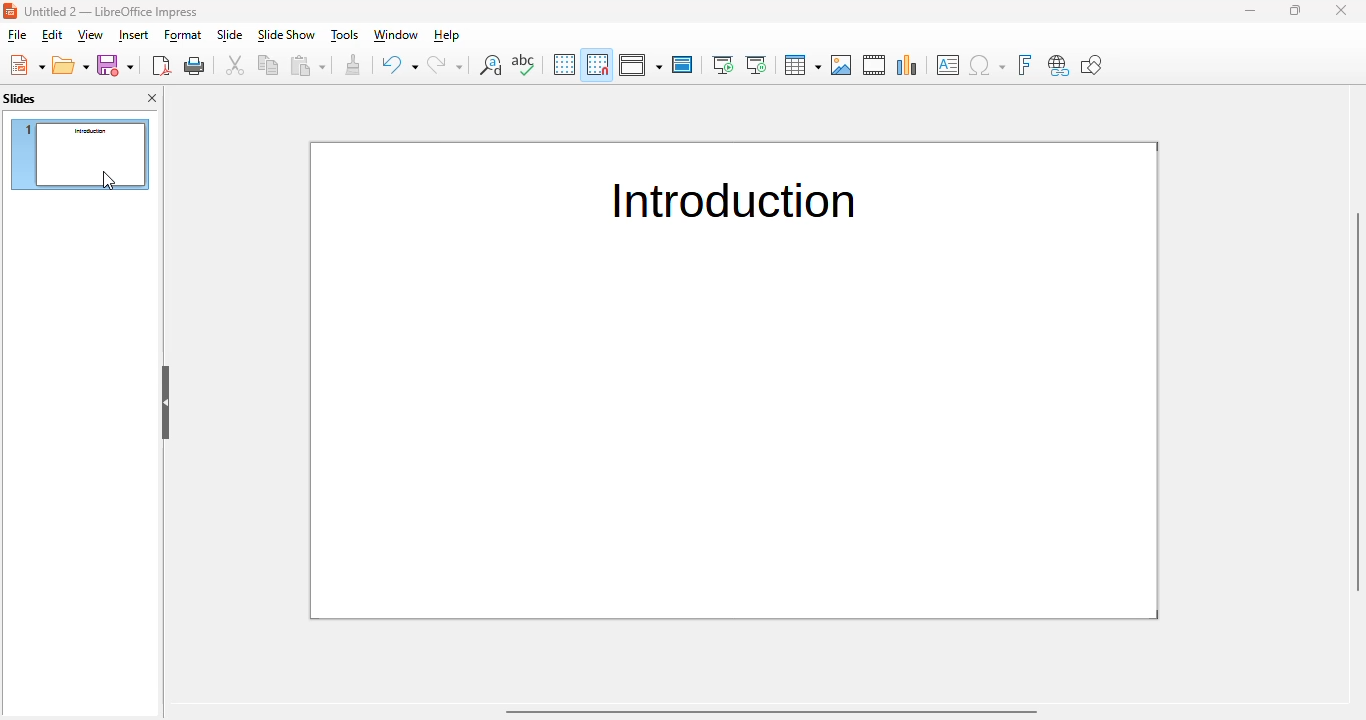 This screenshot has width=1366, height=720. What do you see at coordinates (230, 34) in the screenshot?
I see `slide` at bounding box center [230, 34].